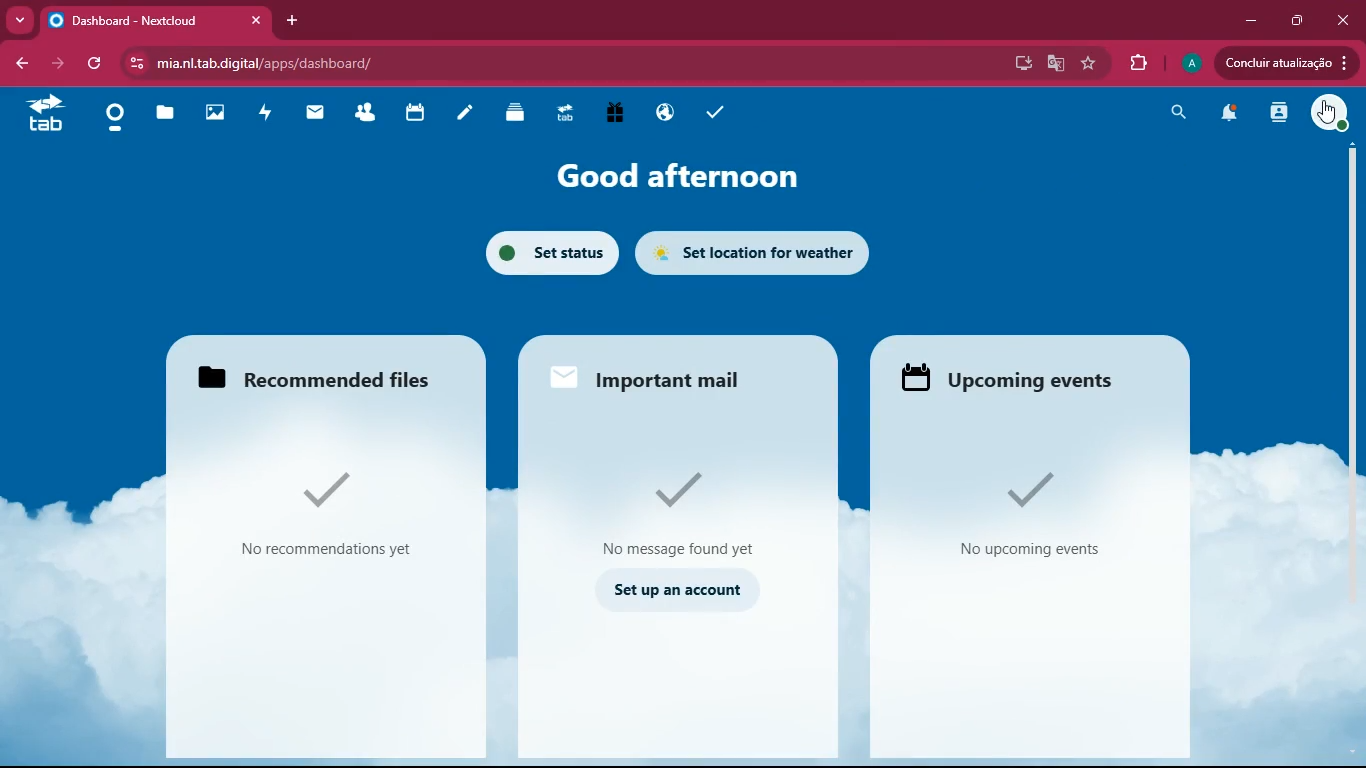 The width and height of the screenshot is (1366, 768). Describe the element at coordinates (1055, 63) in the screenshot. I see `google translate` at that location.